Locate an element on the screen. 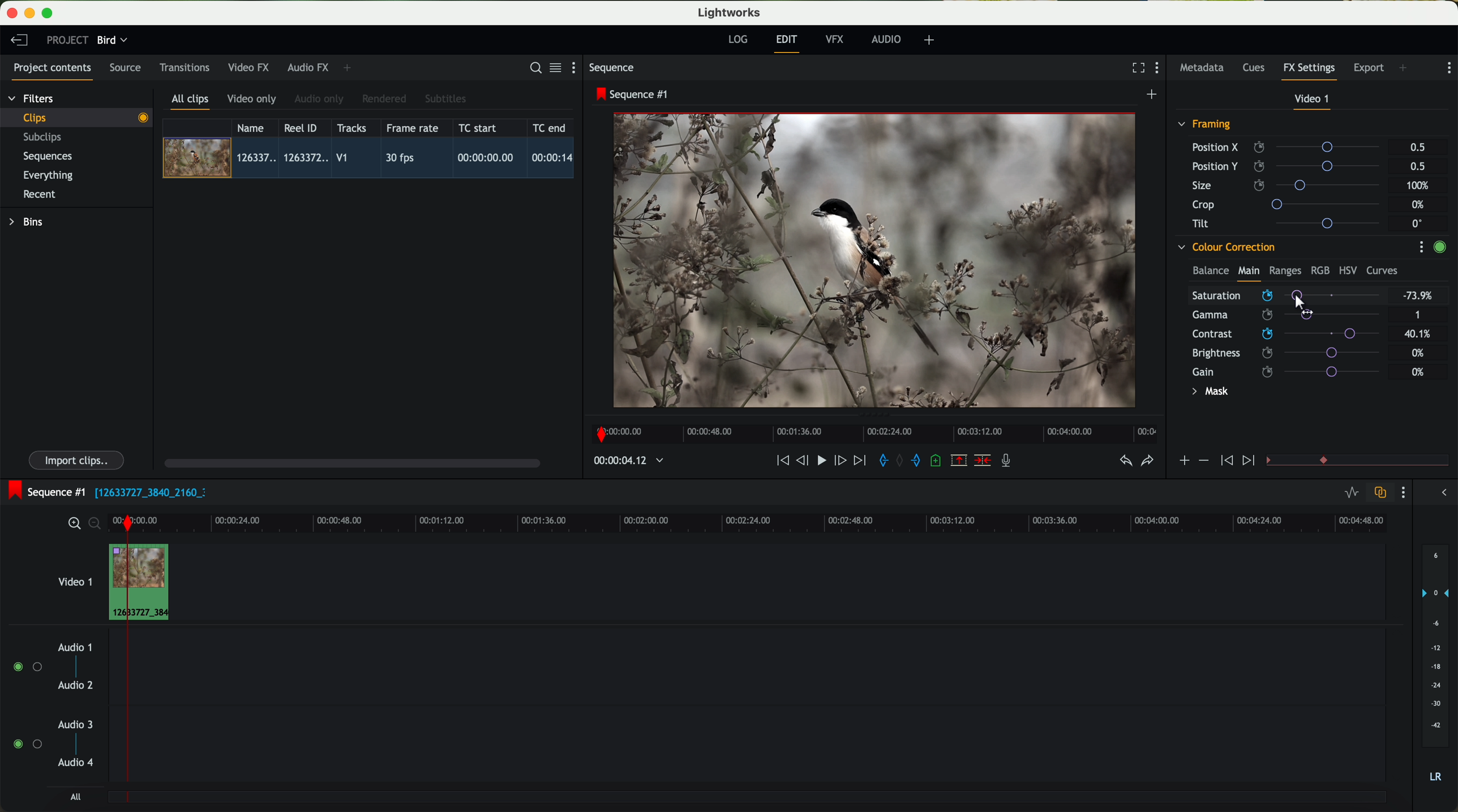  sequence #1 is located at coordinates (633, 94).